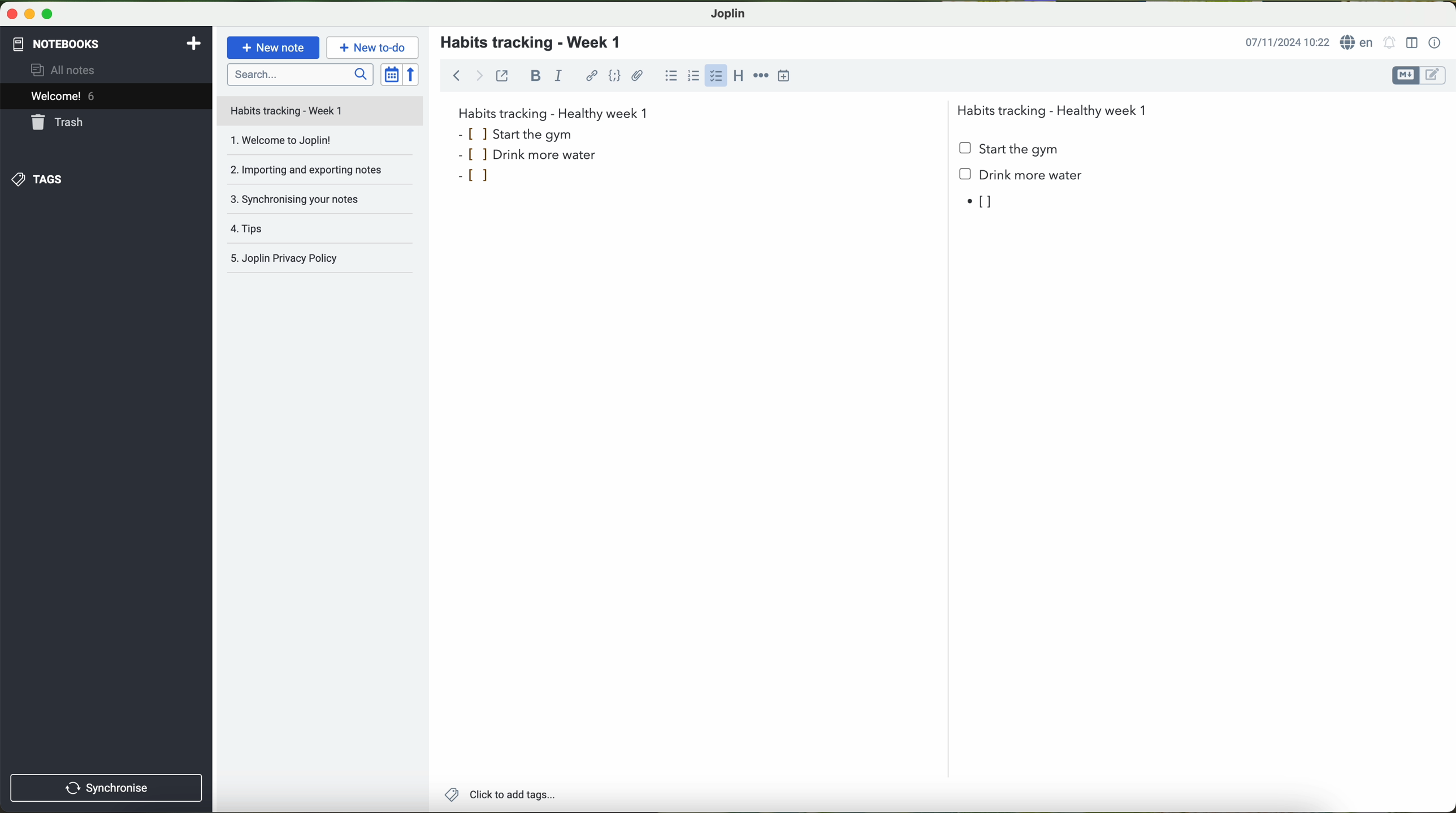 The width and height of the screenshot is (1456, 813). What do you see at coordinates (38, 180) in the screenshot?
I see `tags` at bounding box center [38, 180].